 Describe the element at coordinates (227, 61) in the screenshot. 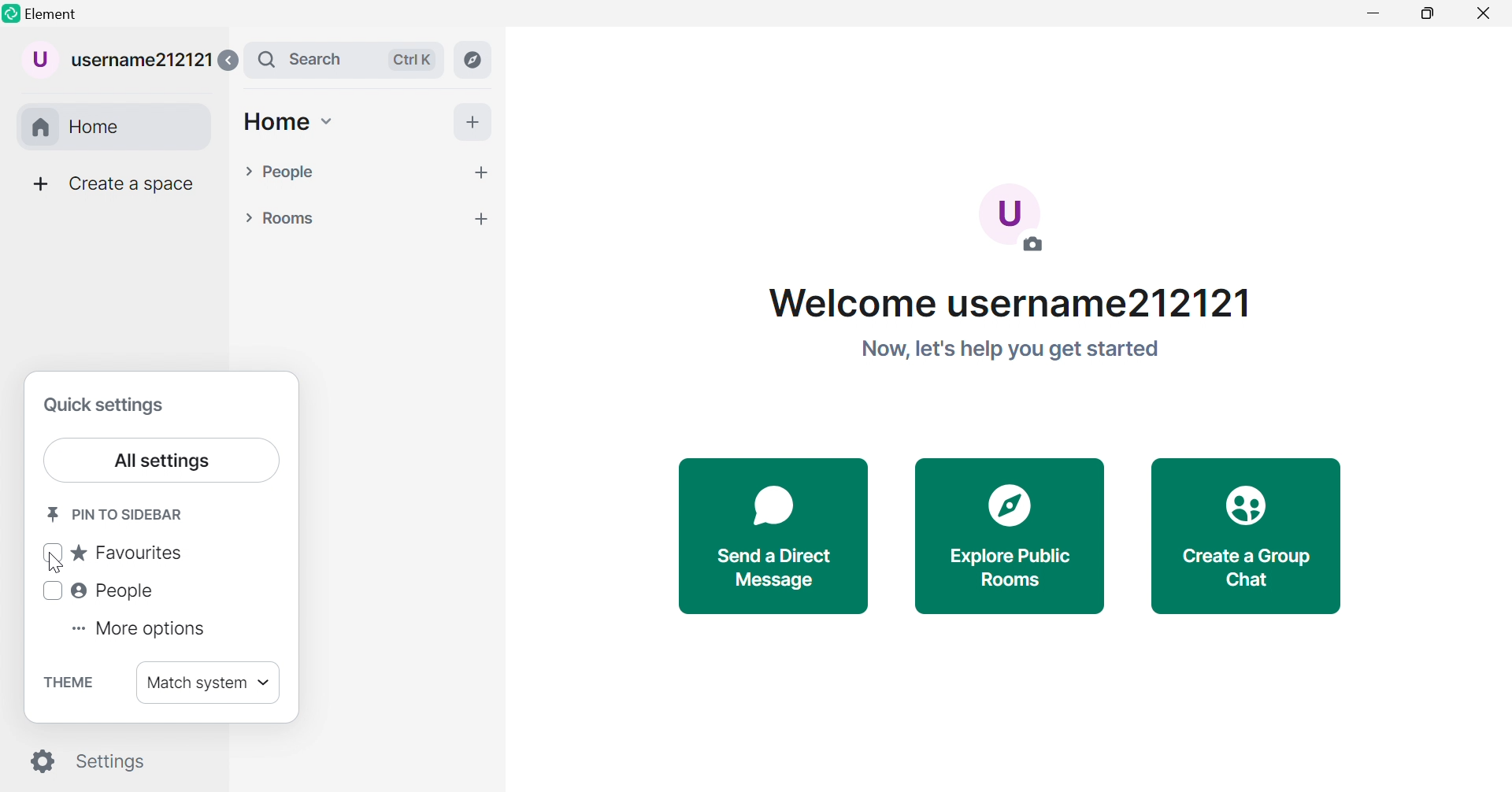

I see `Expand` at that location.